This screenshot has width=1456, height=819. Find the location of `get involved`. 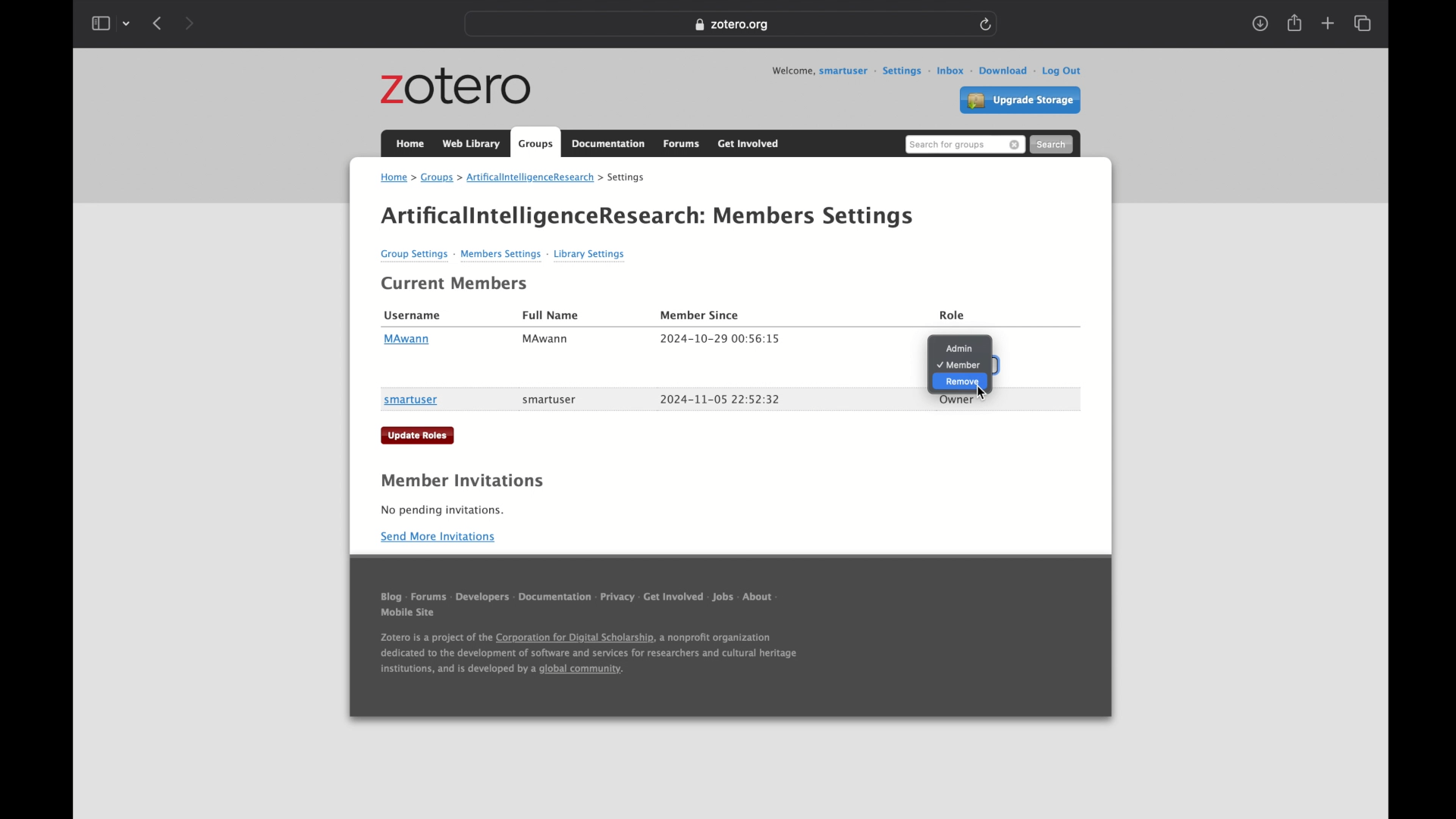

get involved is located at coordinates (673, 600).